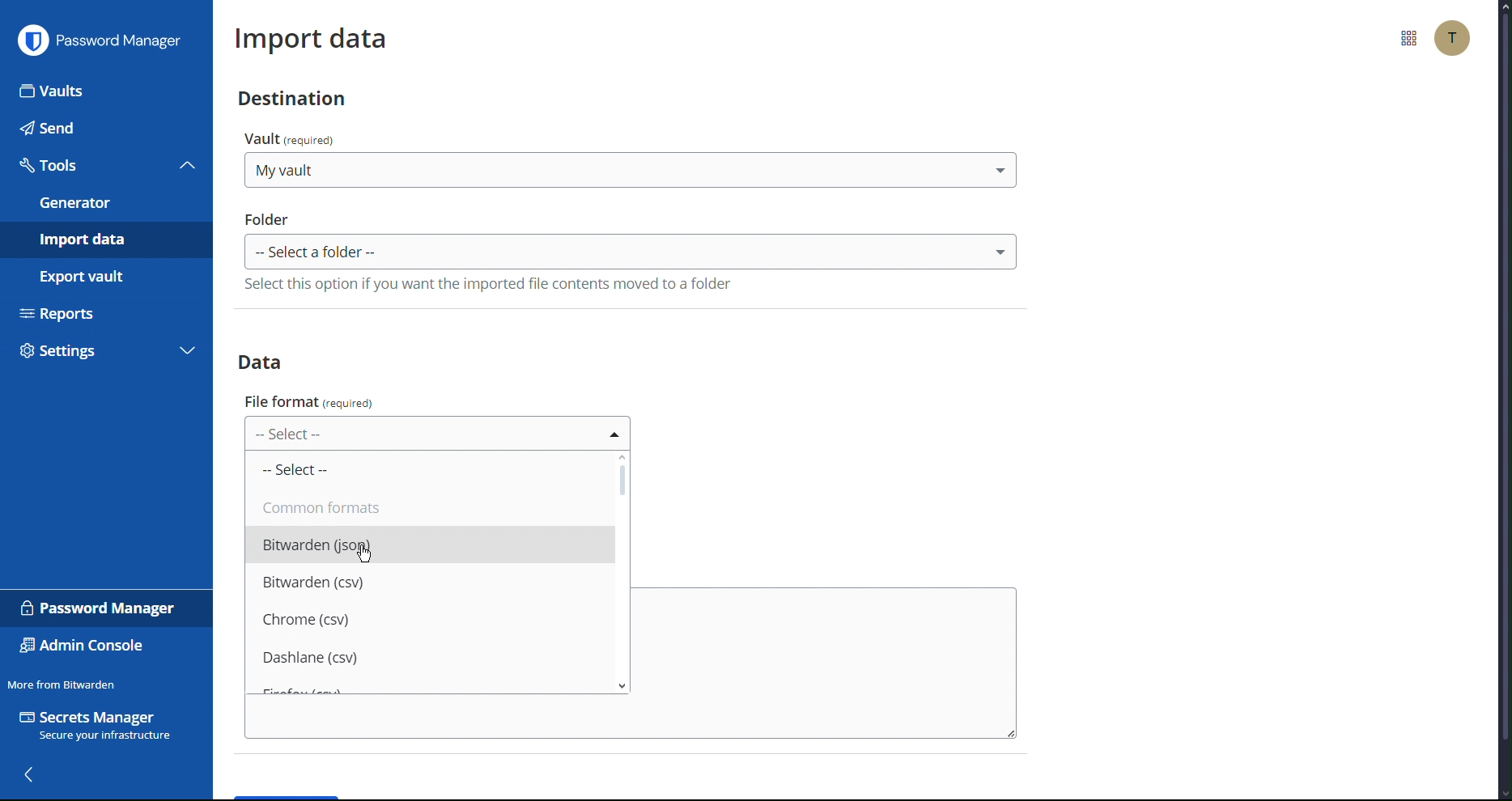 The height and width of the screenshot is (801, 1512). I want to click on Import data, so click(312, 35).